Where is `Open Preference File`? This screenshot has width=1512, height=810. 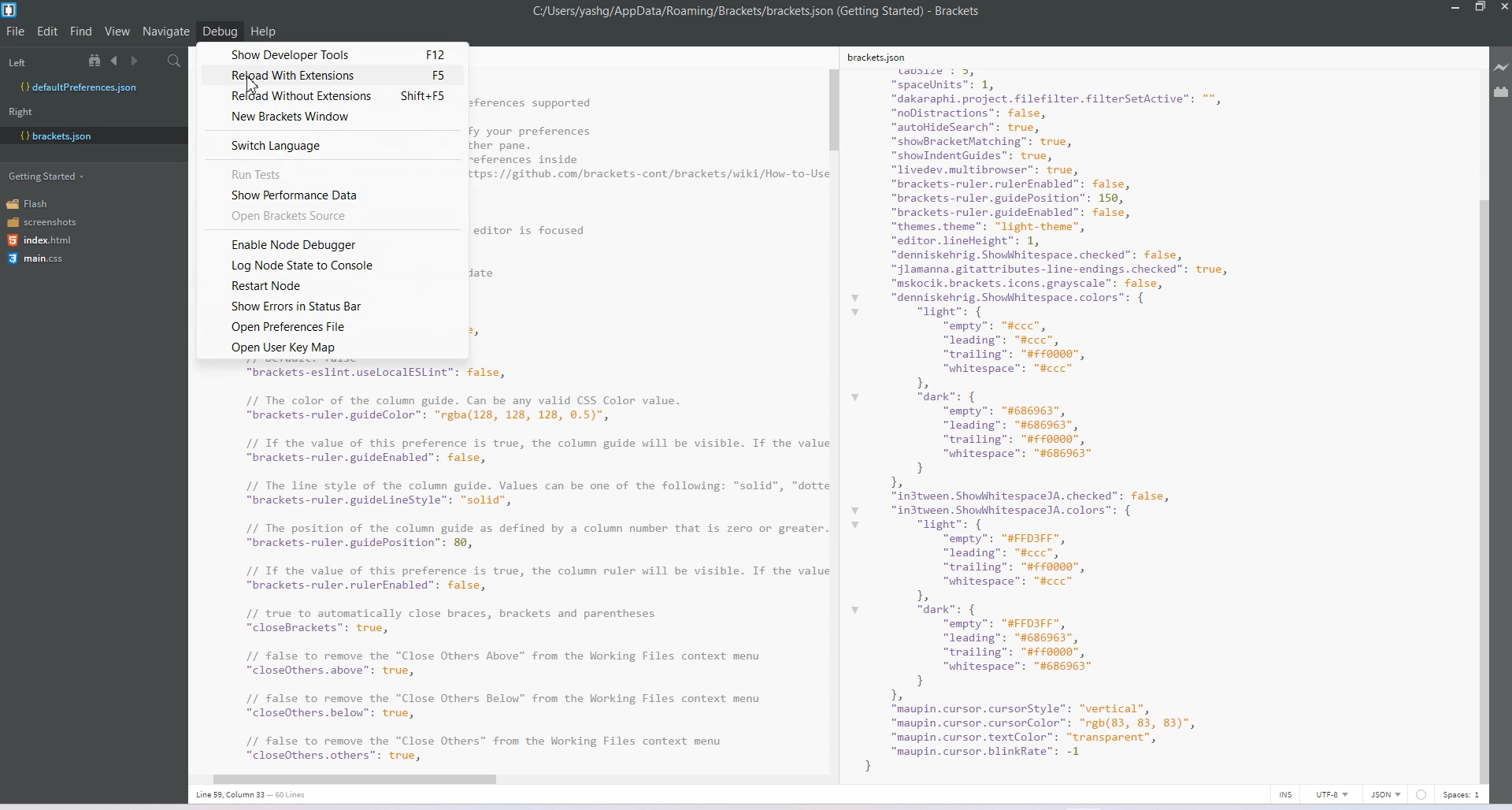 Open Preference File is located at coordinates (332, 326).